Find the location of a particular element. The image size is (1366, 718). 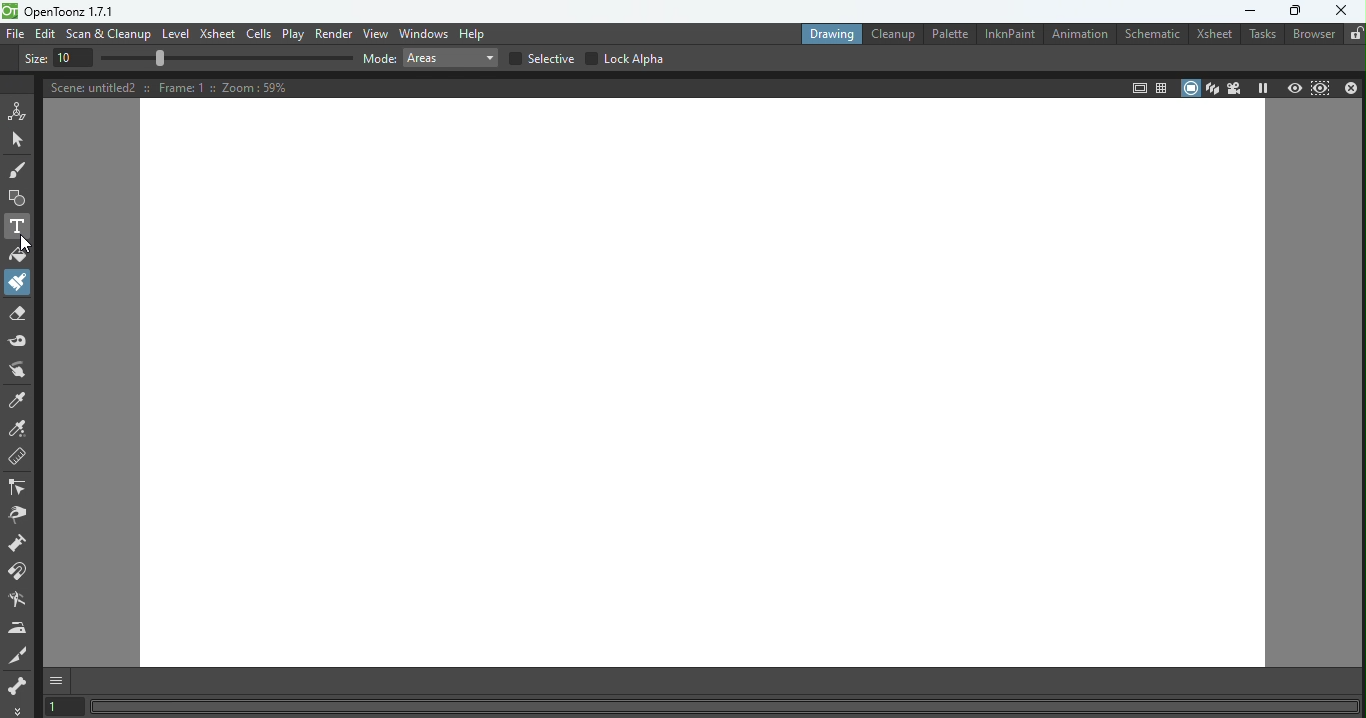

Finger tool is located at coordinates (21, 371).